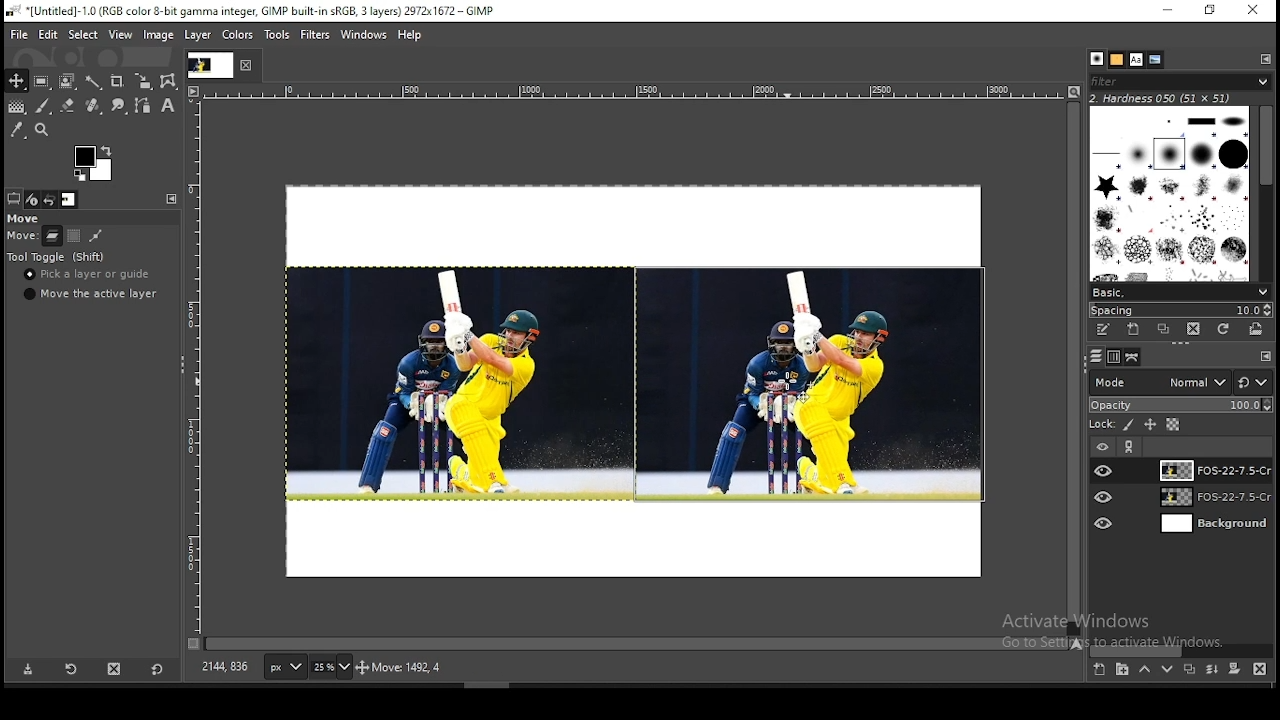  I want to click on tools, so click(280, 35).